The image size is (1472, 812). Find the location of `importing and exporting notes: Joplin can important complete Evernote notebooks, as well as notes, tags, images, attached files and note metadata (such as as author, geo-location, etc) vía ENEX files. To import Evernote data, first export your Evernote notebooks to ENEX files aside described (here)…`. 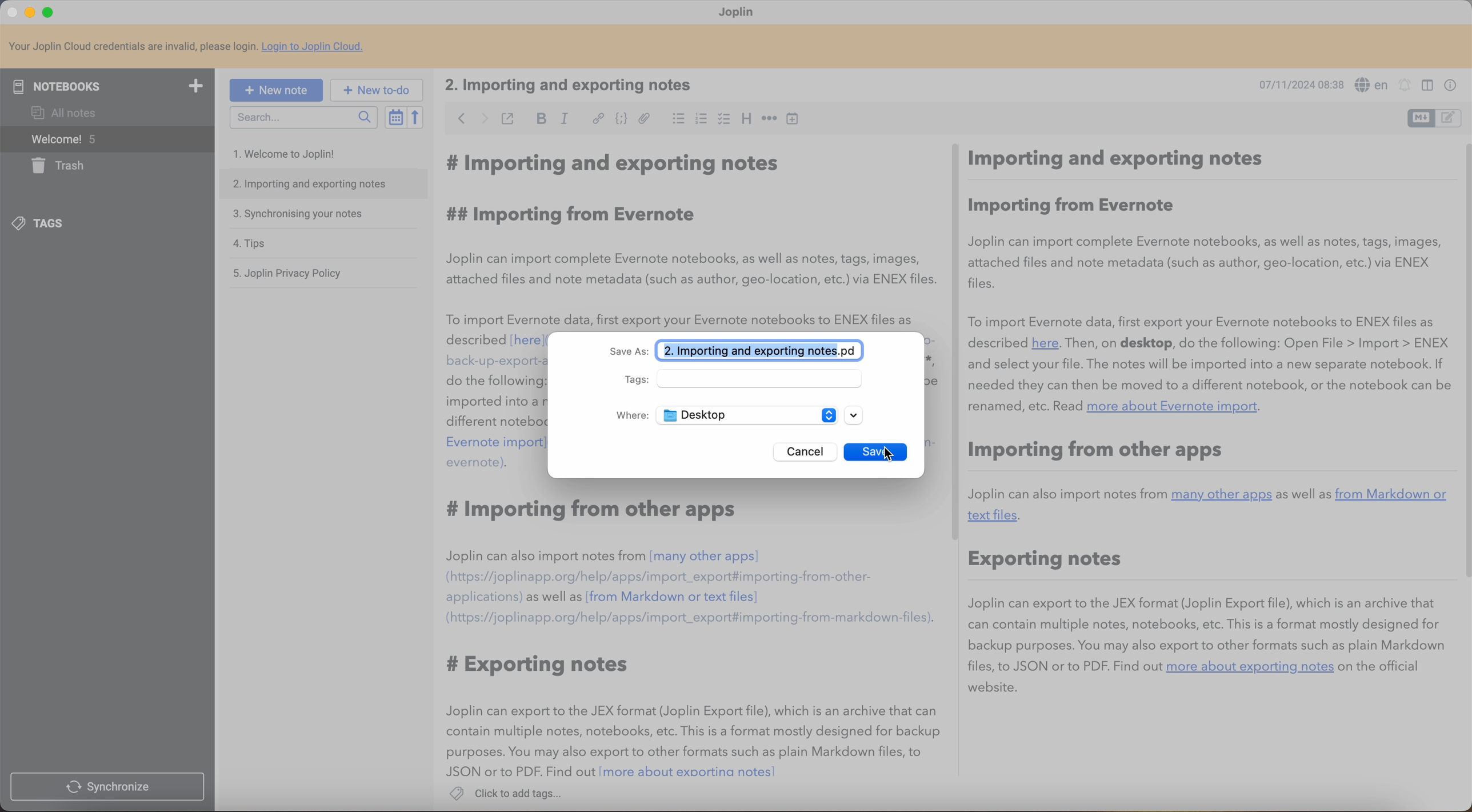

importing and exporting notes: Joplin can important complete Evernote notebooks, as well as notes, tags, images, attached files and note metadata (such as as author, geo-location, etc) vía ENEX files. To import Evernote data, first export your Evernote notebooks to ENEX files aside described (here)… is located at coordinates (493, 555).